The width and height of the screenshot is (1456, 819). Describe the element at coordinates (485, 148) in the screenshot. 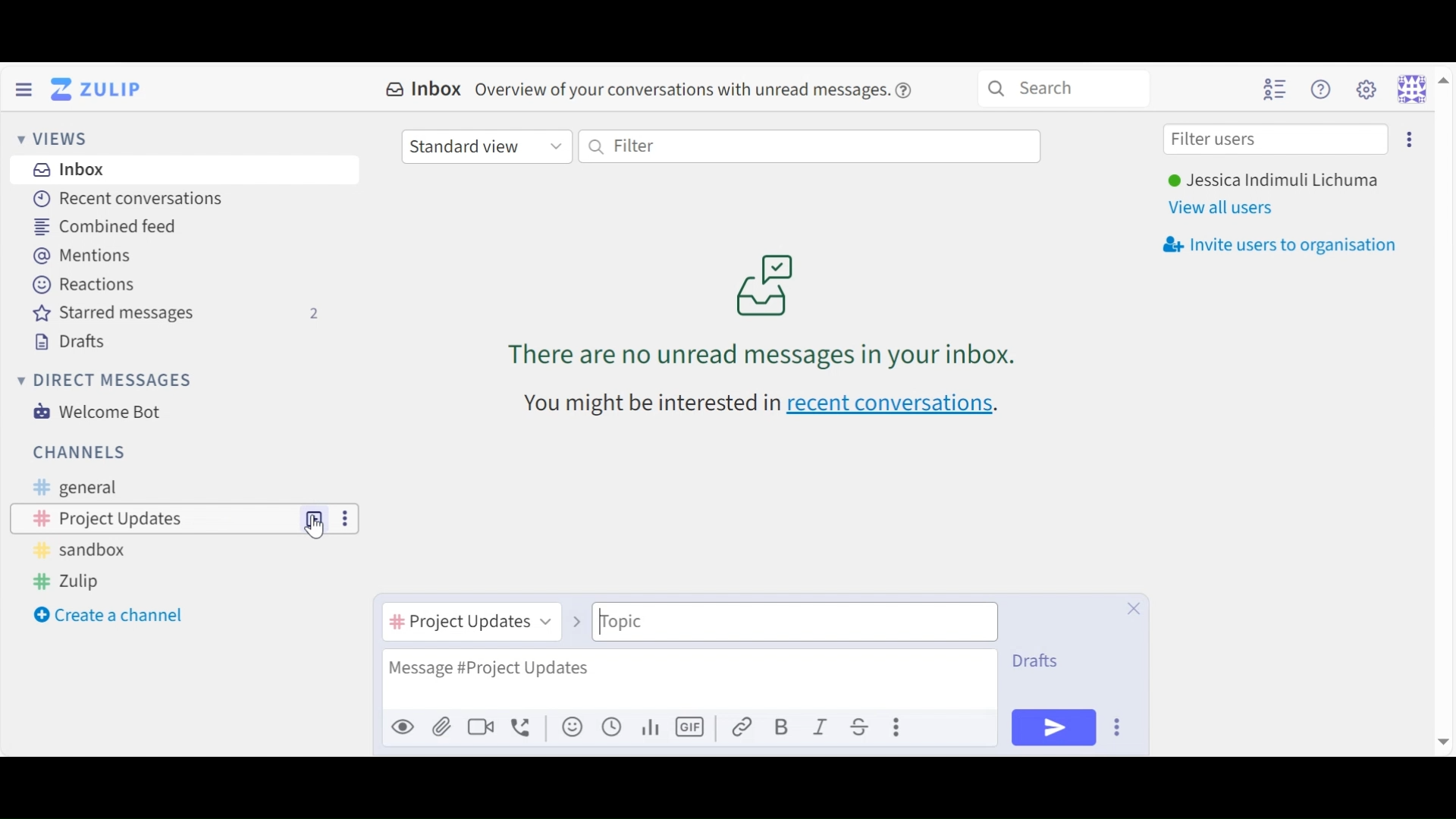

I see `Standard View` at that location.